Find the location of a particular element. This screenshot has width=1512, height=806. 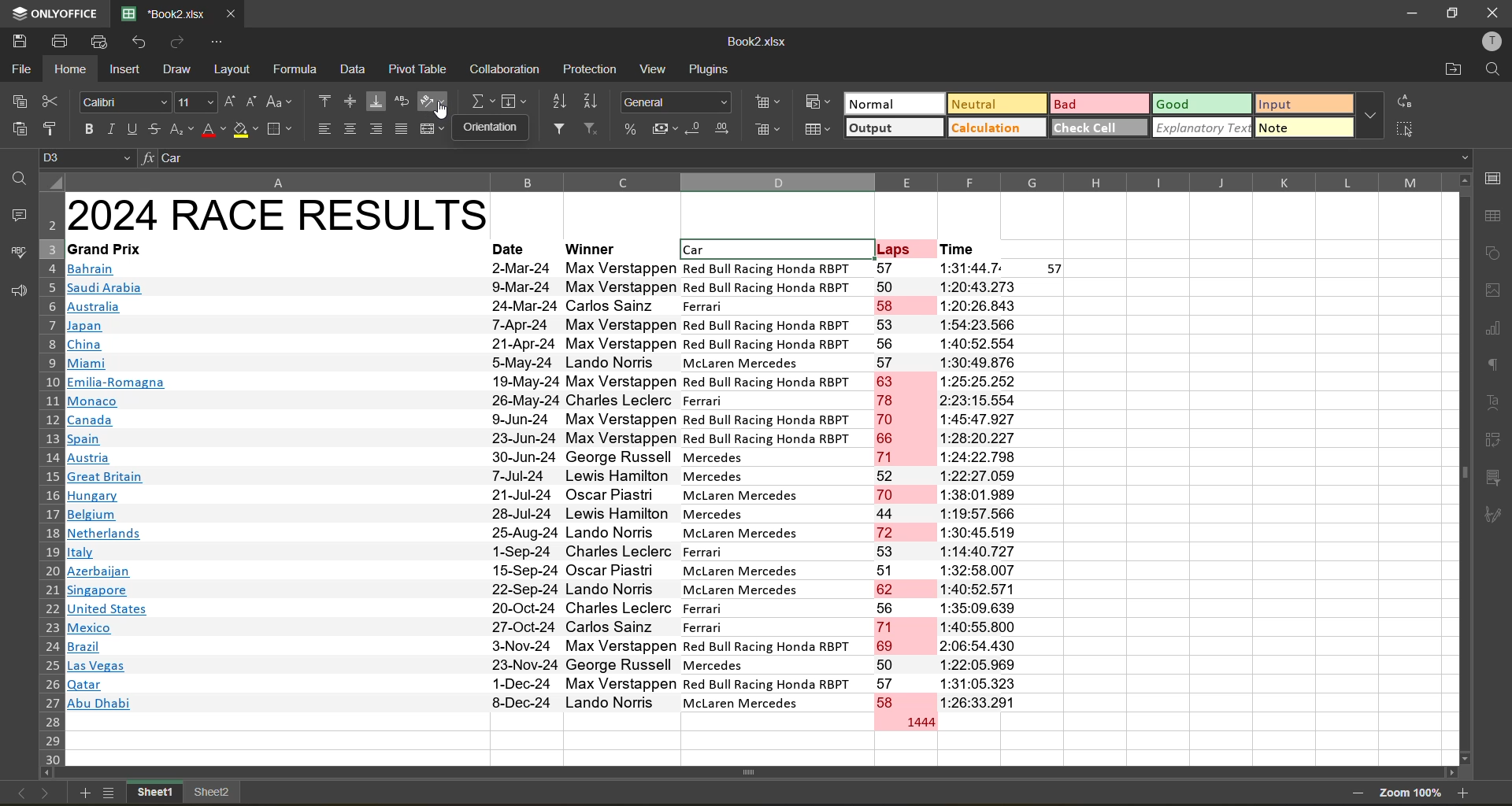

data is located at coordinates (356, 70).